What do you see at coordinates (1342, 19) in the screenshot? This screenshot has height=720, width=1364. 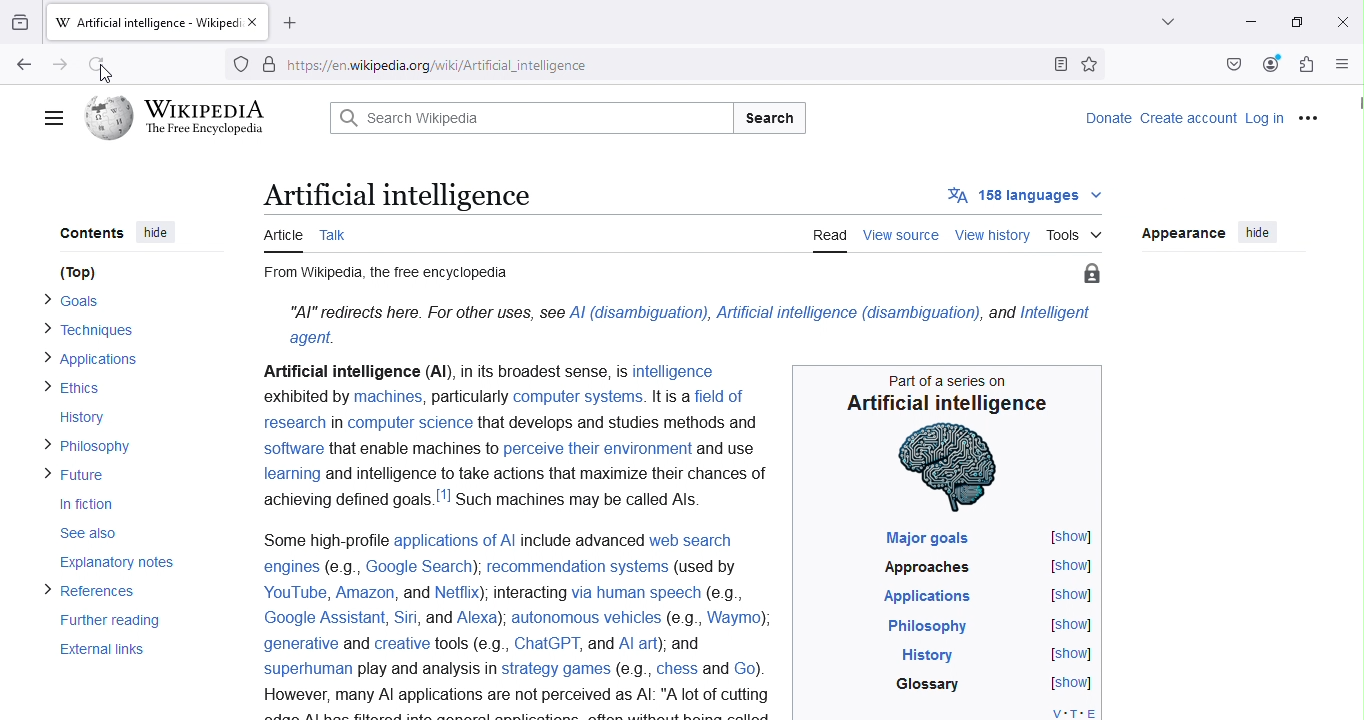 I see `Close` at bounding box center [1342, 19].